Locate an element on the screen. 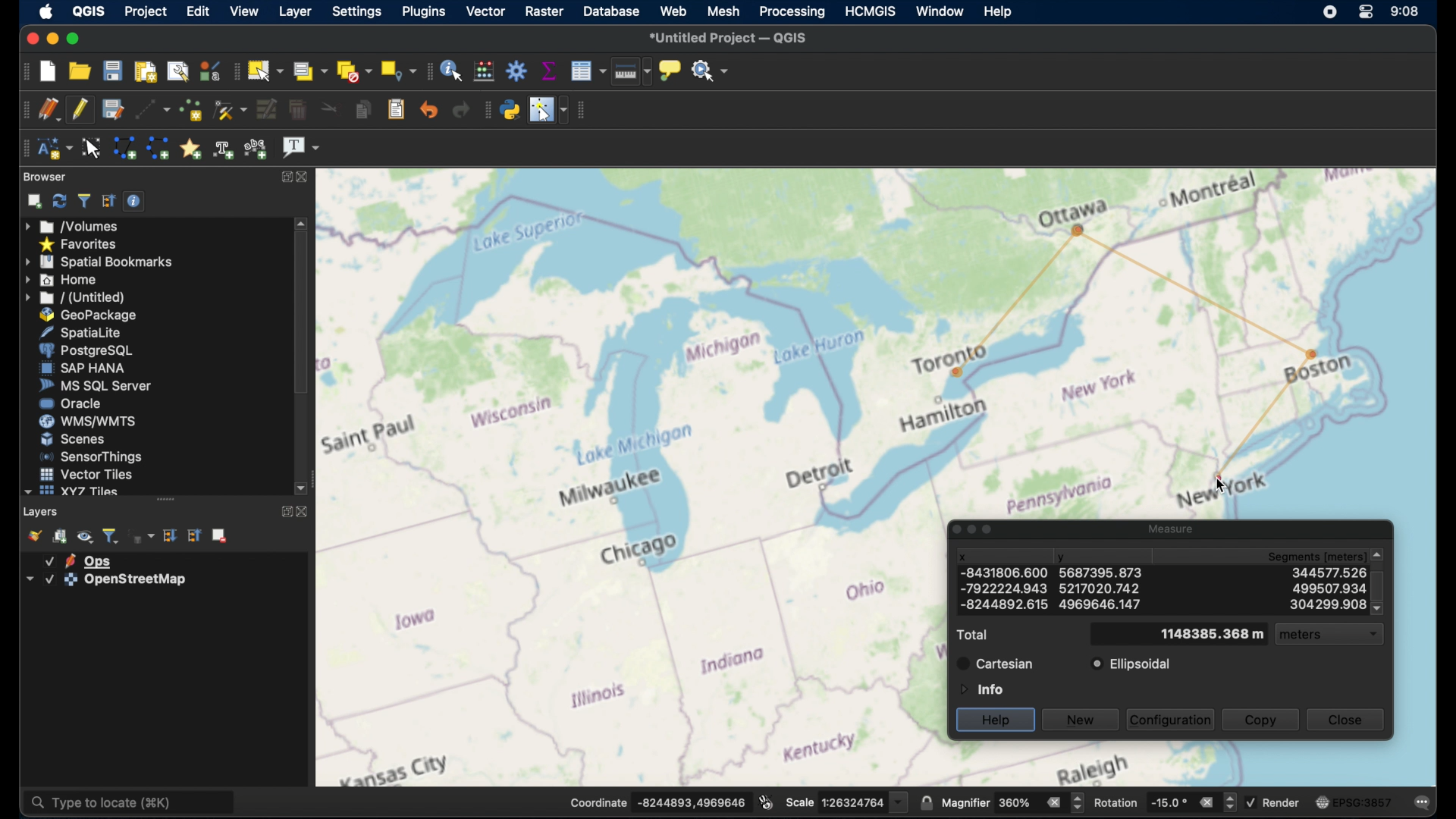  total is located at coordinates (971, 635).